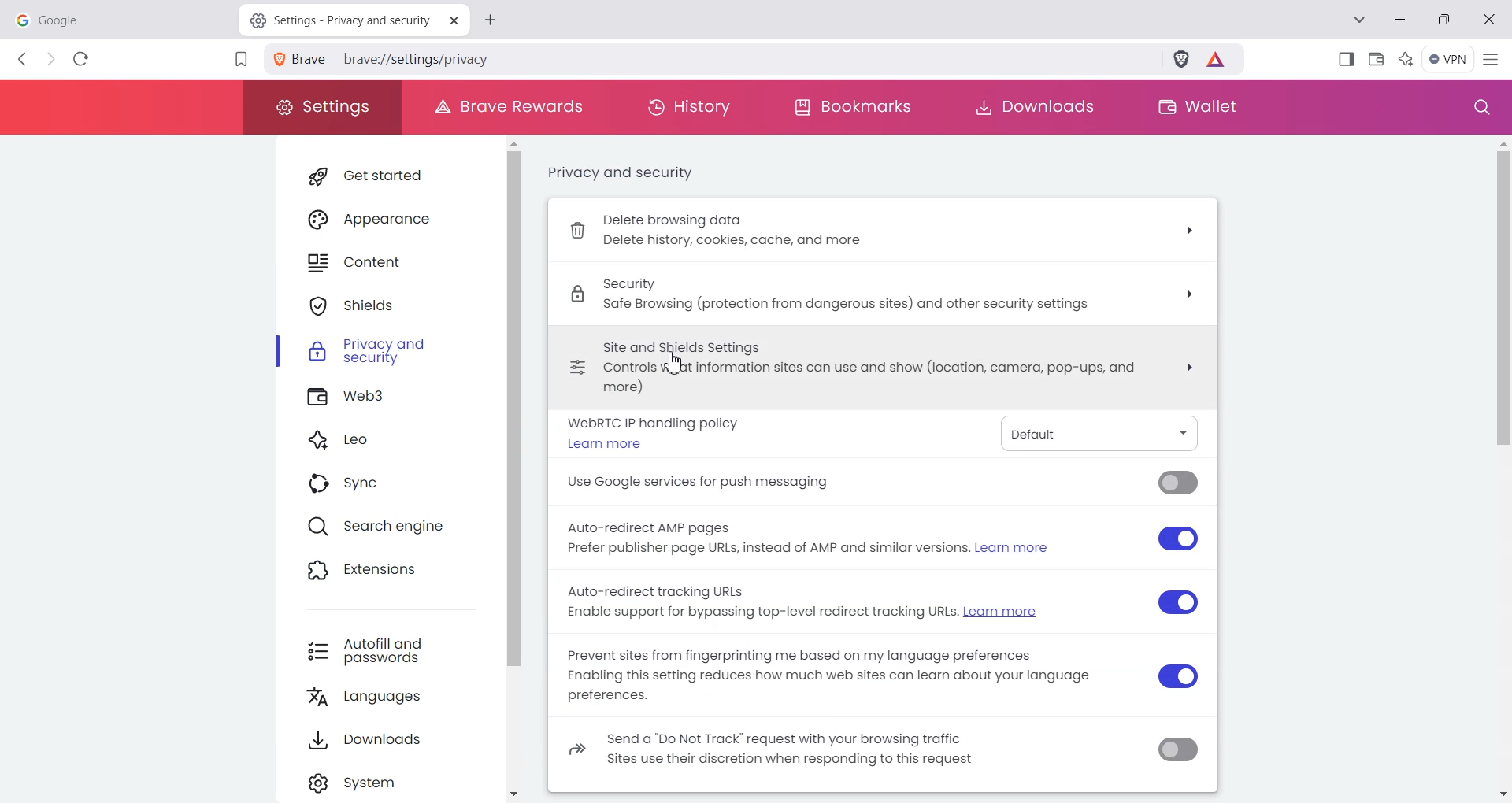  Describe the element at coordinates (394, 651) in the screenshot. I see `Autofill and passwords` at that location.